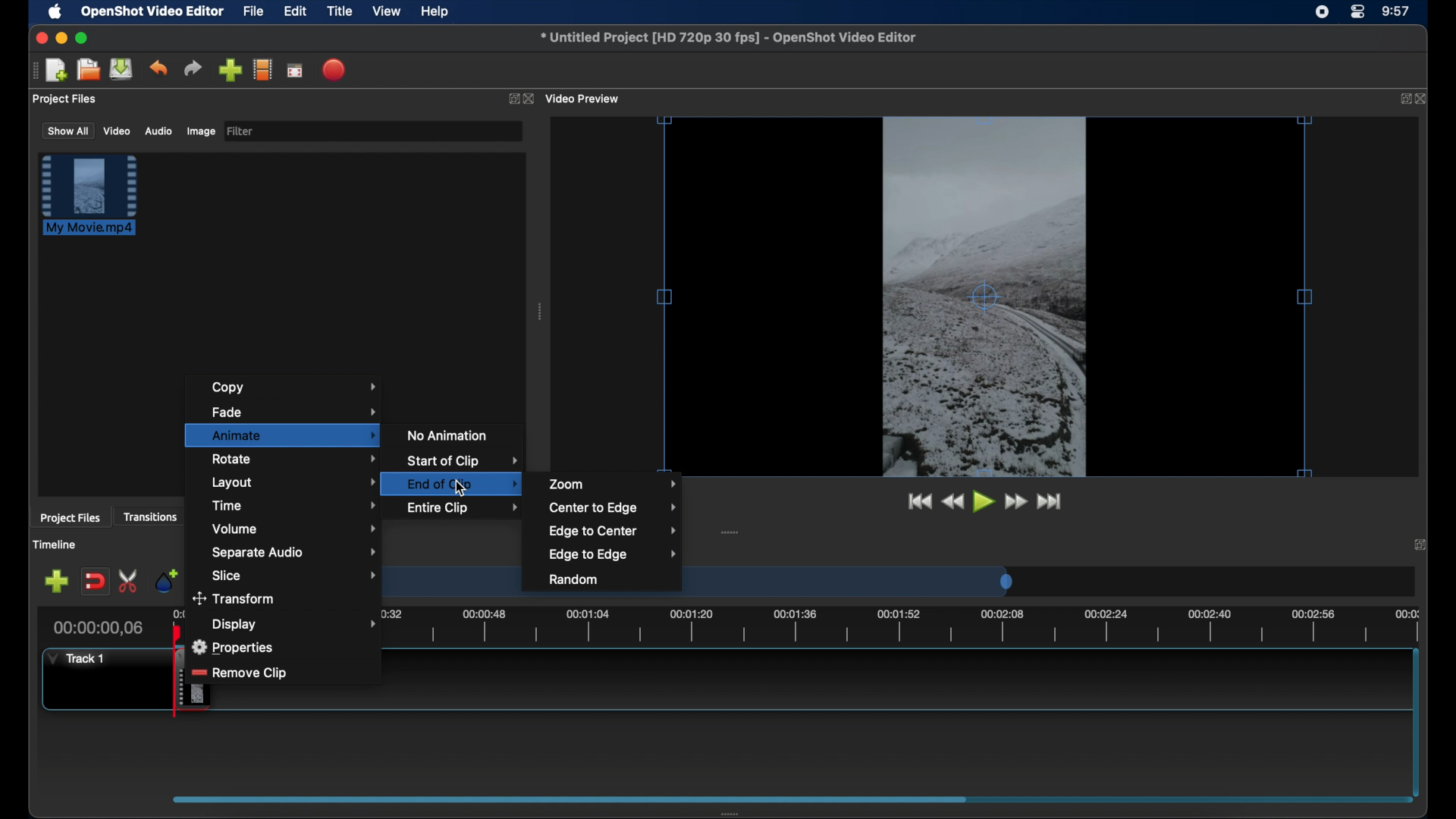  Describe the element at coordinates (1017, 502) in the screenshot. I see `fast forward` at that location.